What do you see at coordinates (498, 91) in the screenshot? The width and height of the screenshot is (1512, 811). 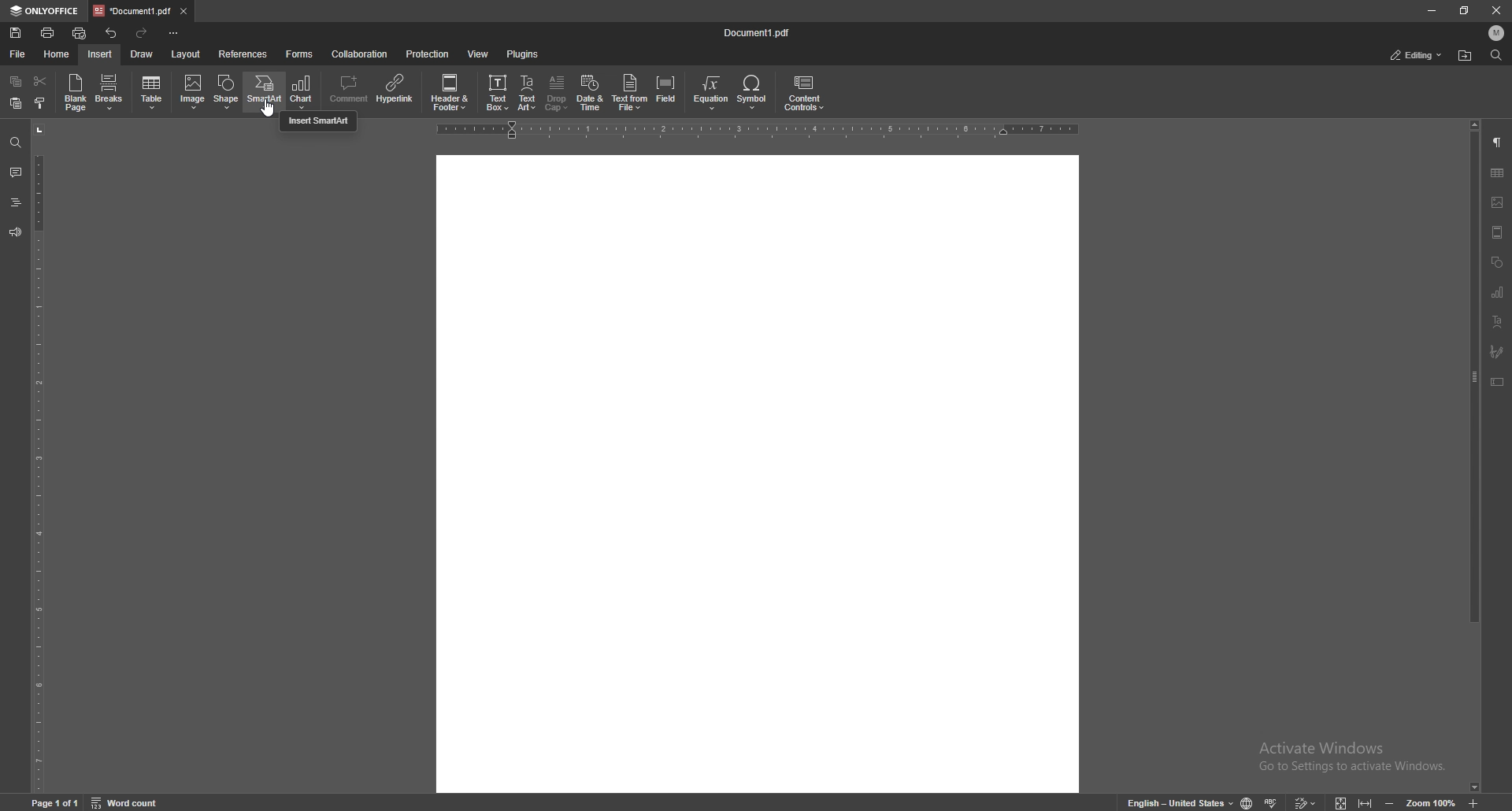 I see `text box` at bounding box center [498, 91].